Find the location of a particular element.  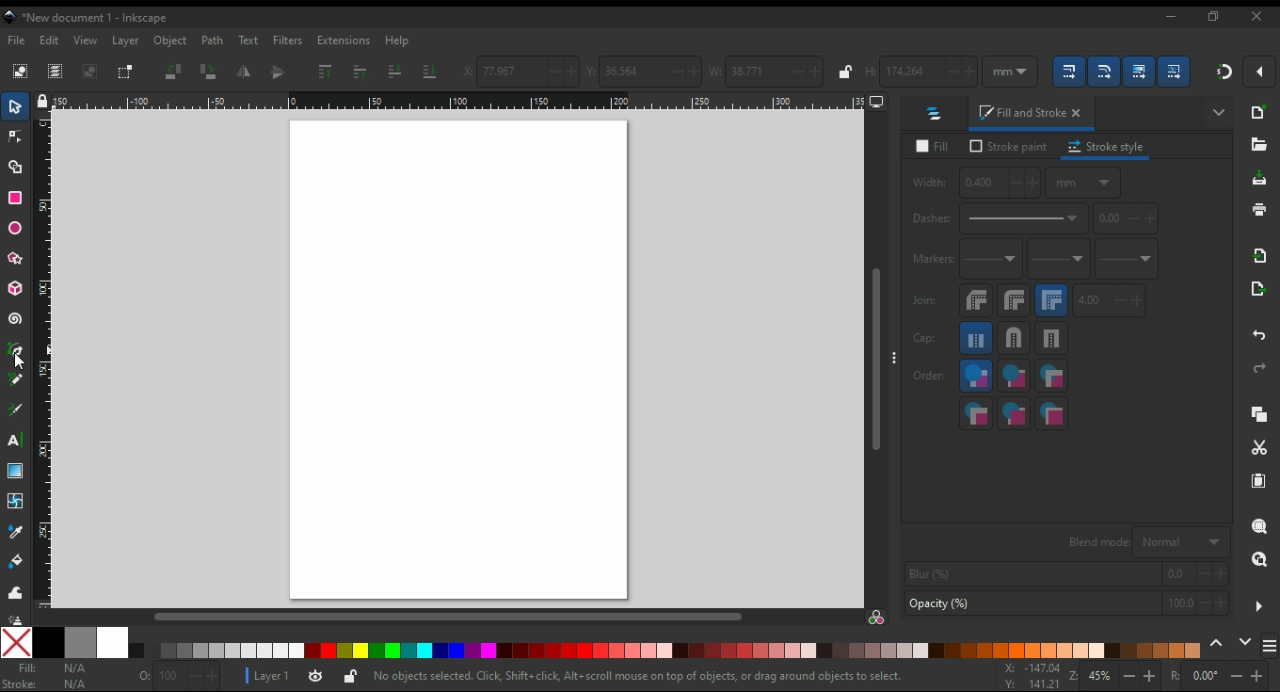

layers and objects is located at coordinates (937, 113).